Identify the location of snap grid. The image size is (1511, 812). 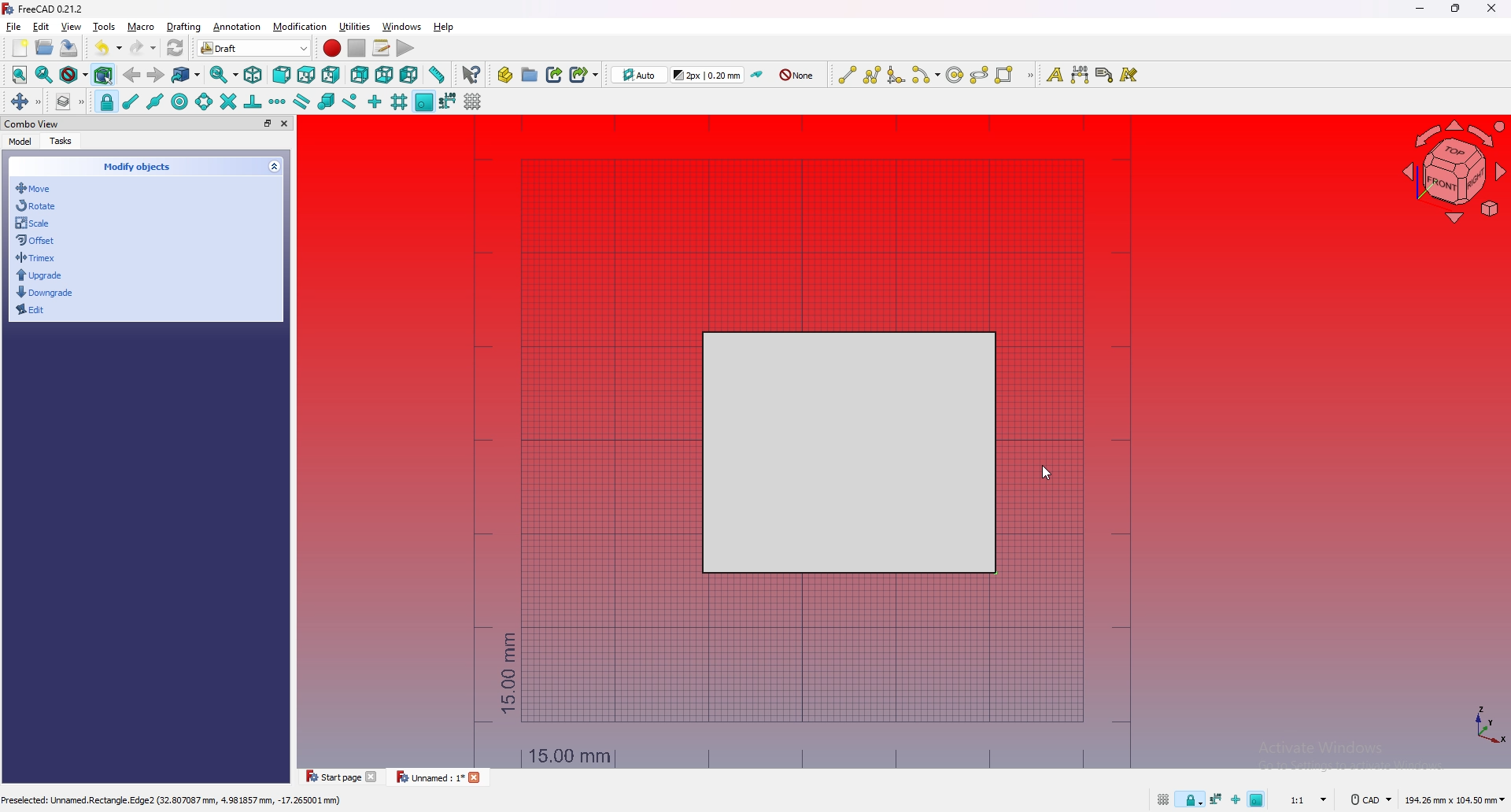
(399, 101).